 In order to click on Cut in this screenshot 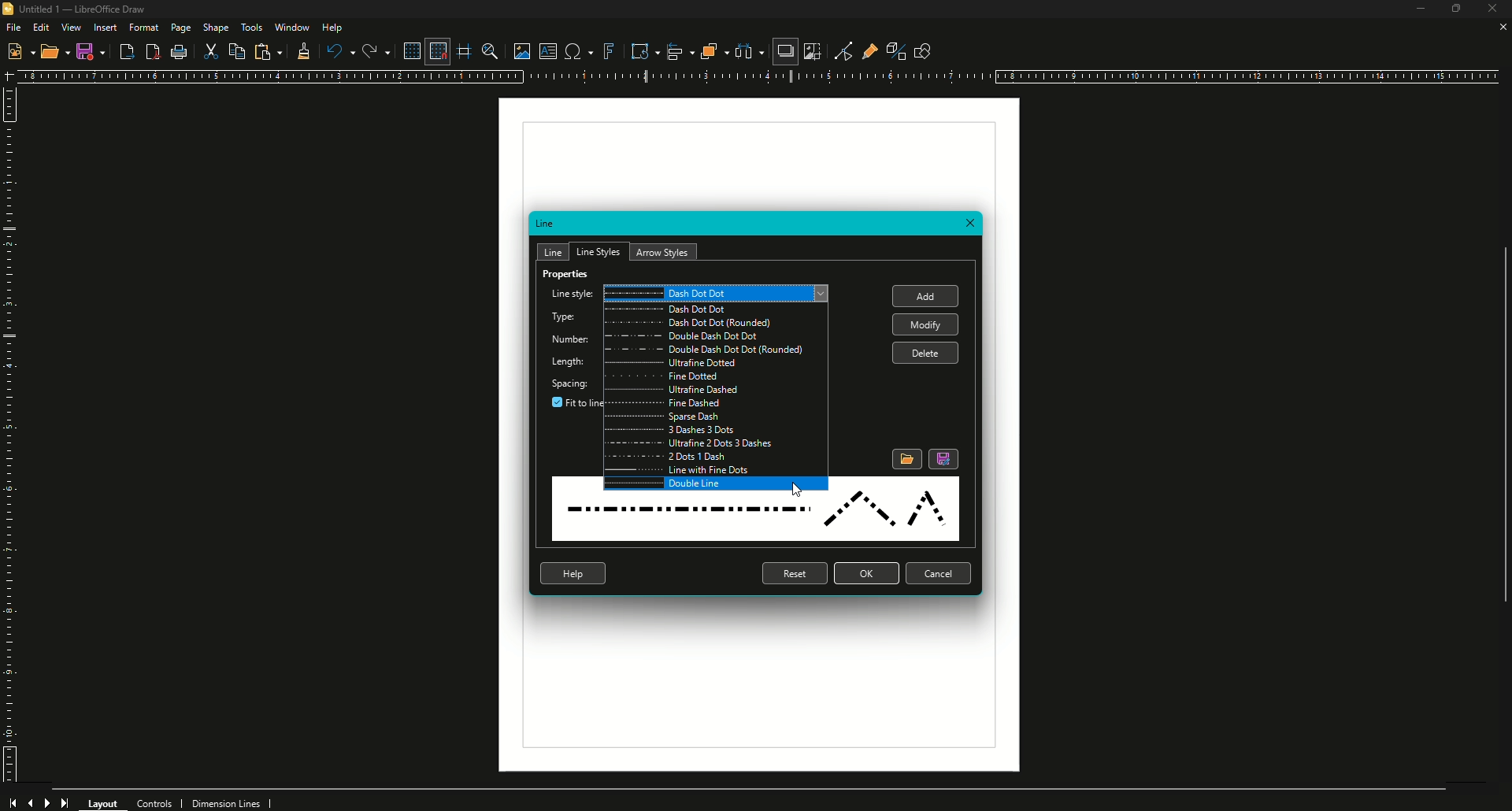, I will do `click(212, 53)`.